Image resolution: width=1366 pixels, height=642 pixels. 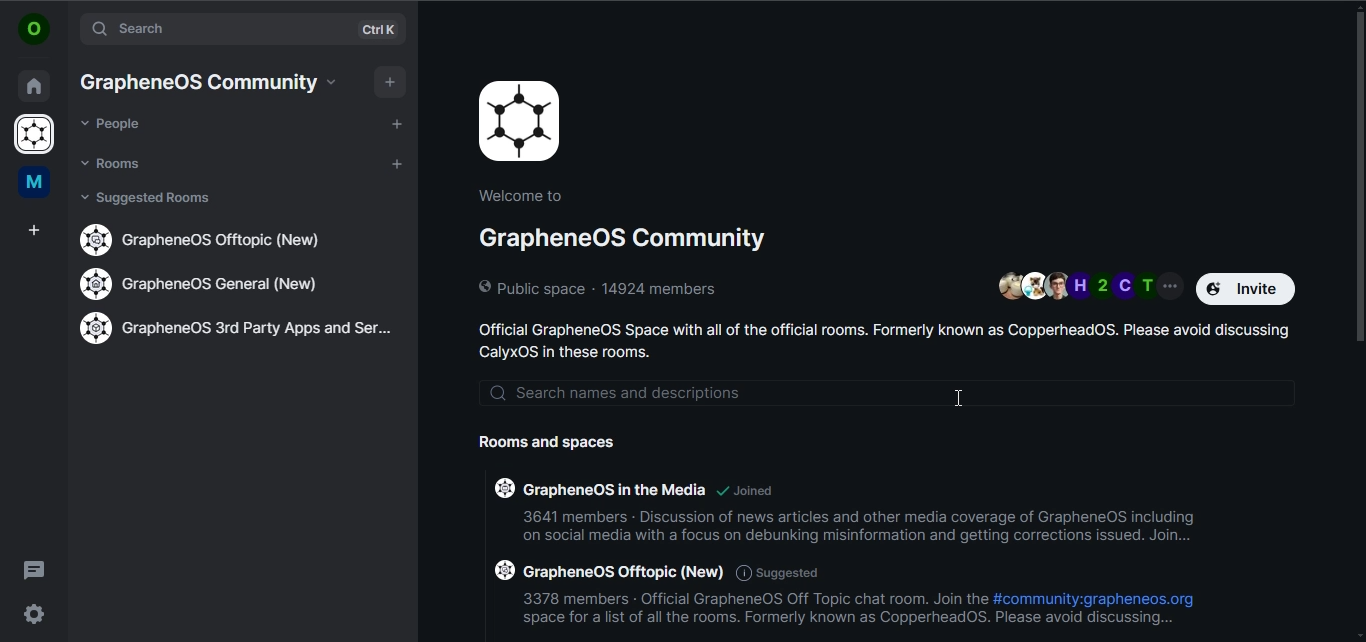 I want to click on grapheneOS, so click(x=37, y=136).